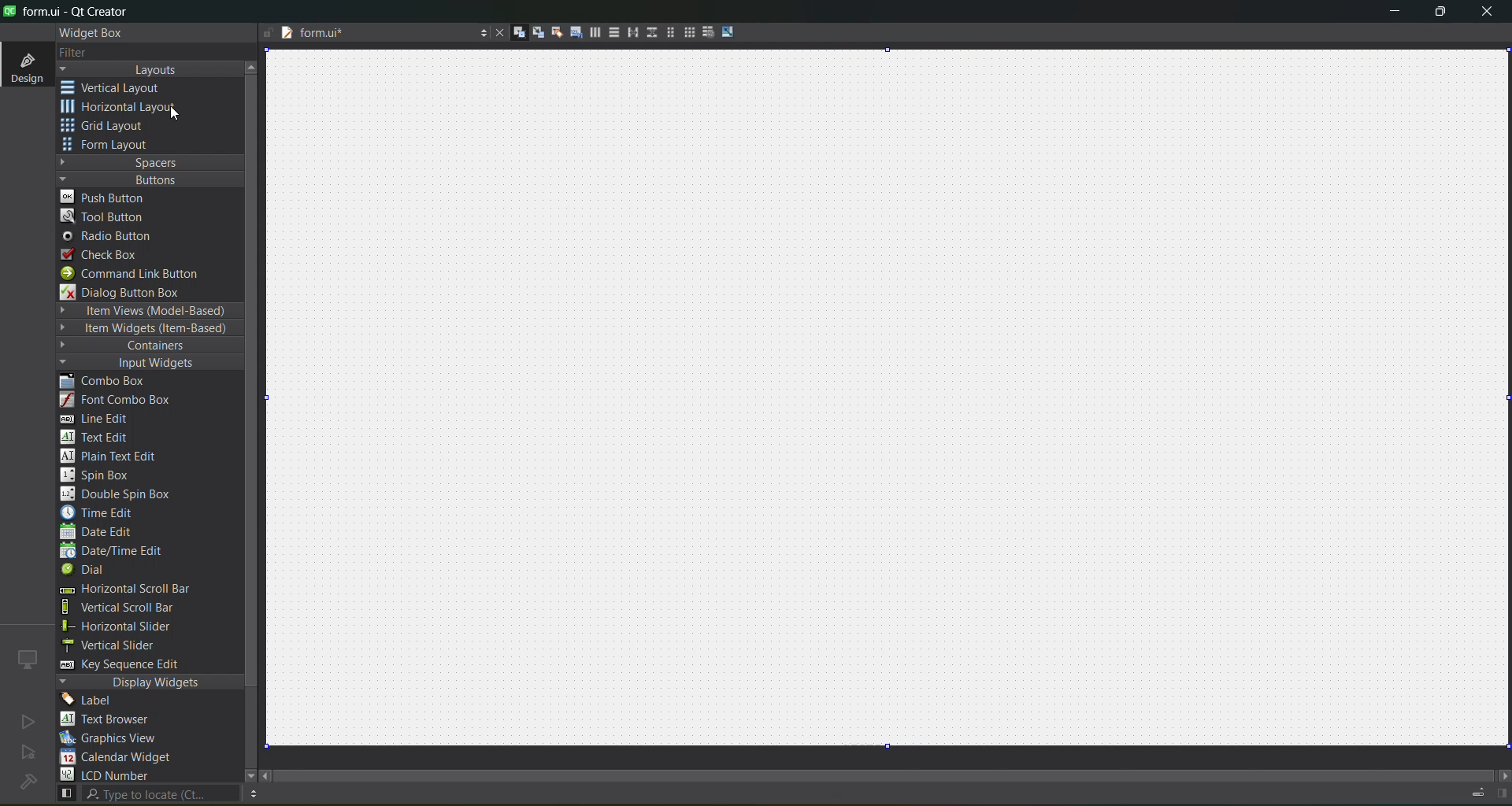 The height and width of the screenshot is (806, 1512). I want to click on layout vertically, so click(610, 31).